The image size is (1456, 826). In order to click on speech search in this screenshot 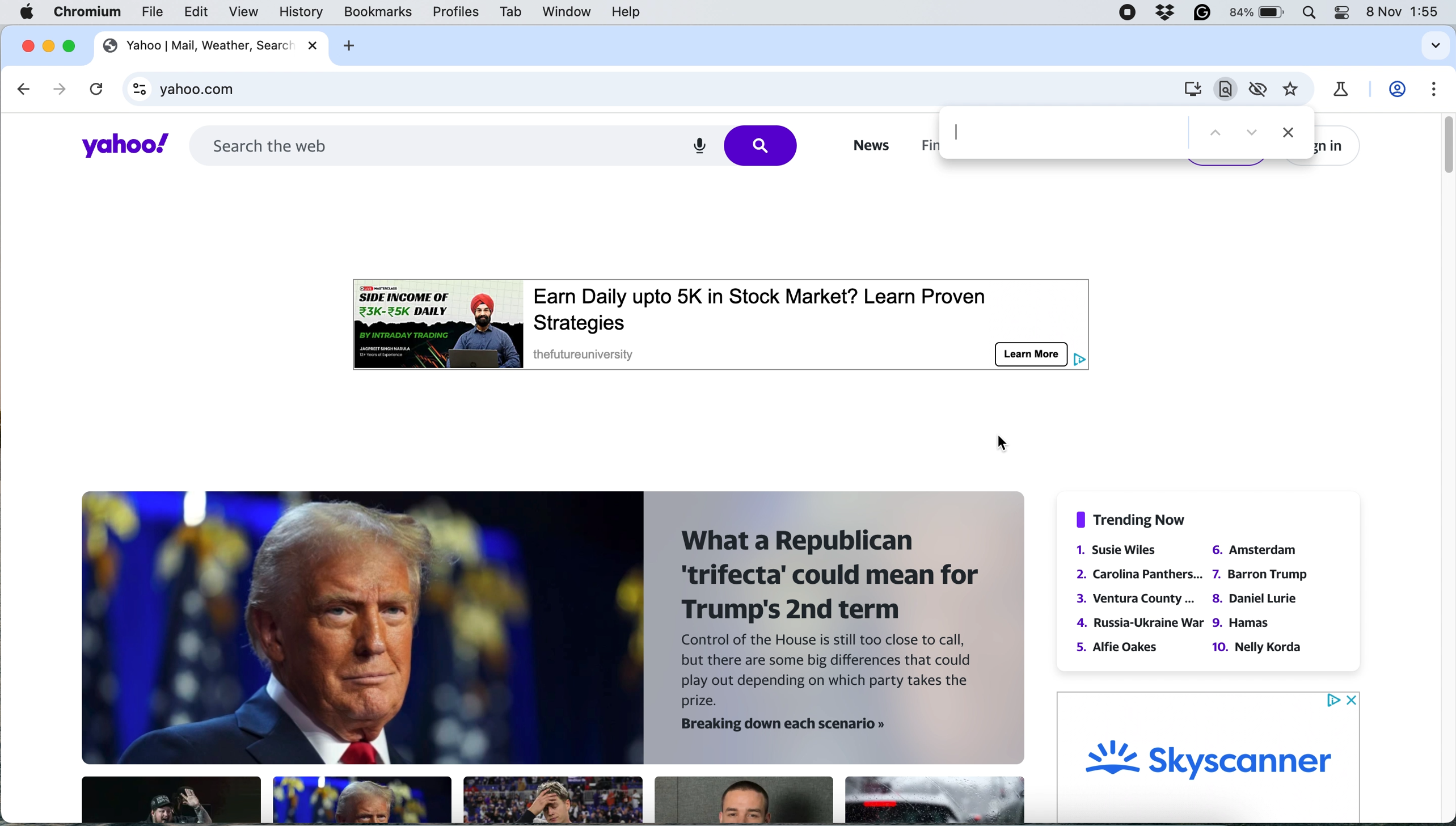, I will do `click(696, 146)`.